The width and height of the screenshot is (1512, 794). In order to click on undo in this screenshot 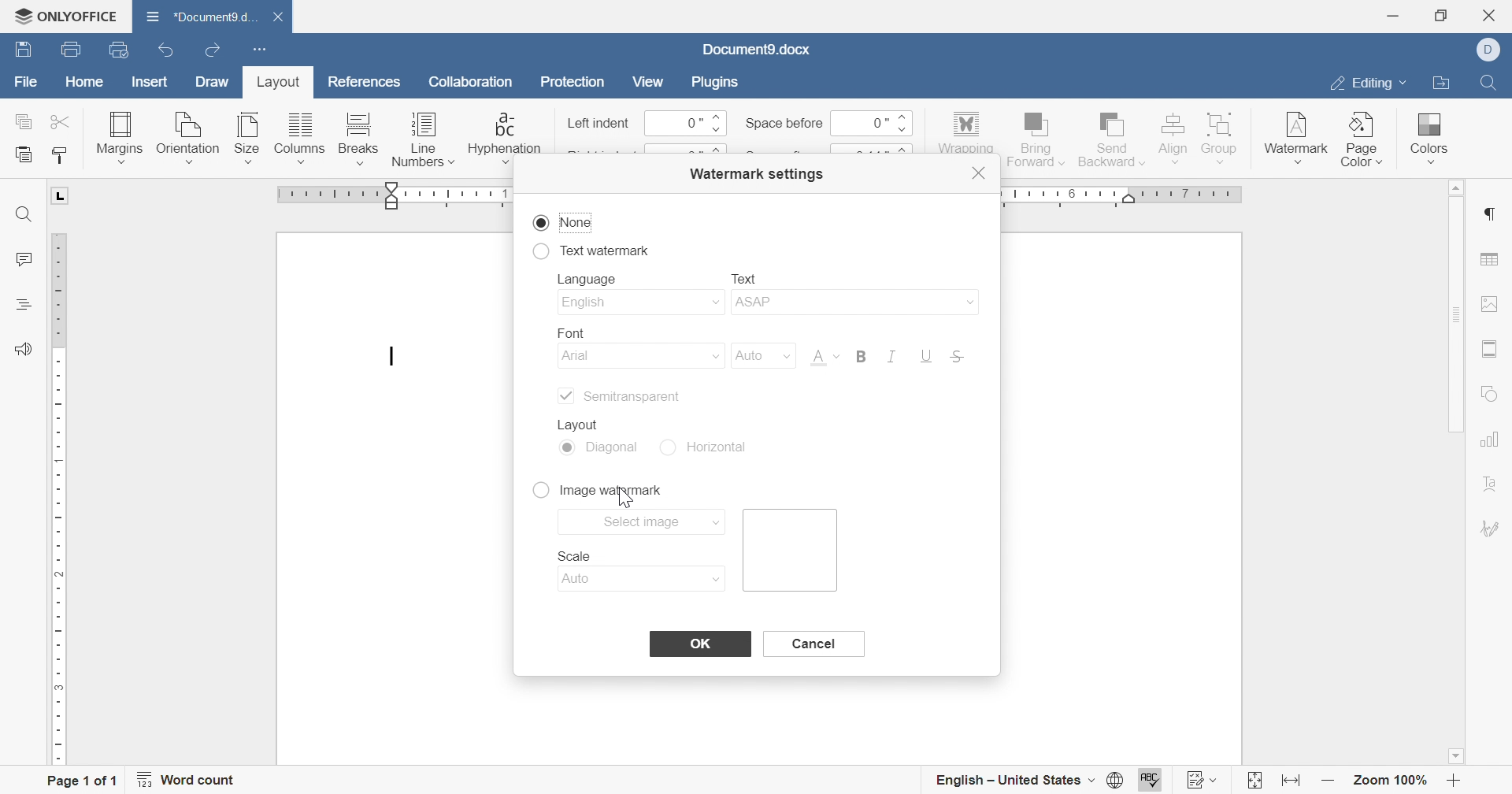, I will do `click(171, 52)`.